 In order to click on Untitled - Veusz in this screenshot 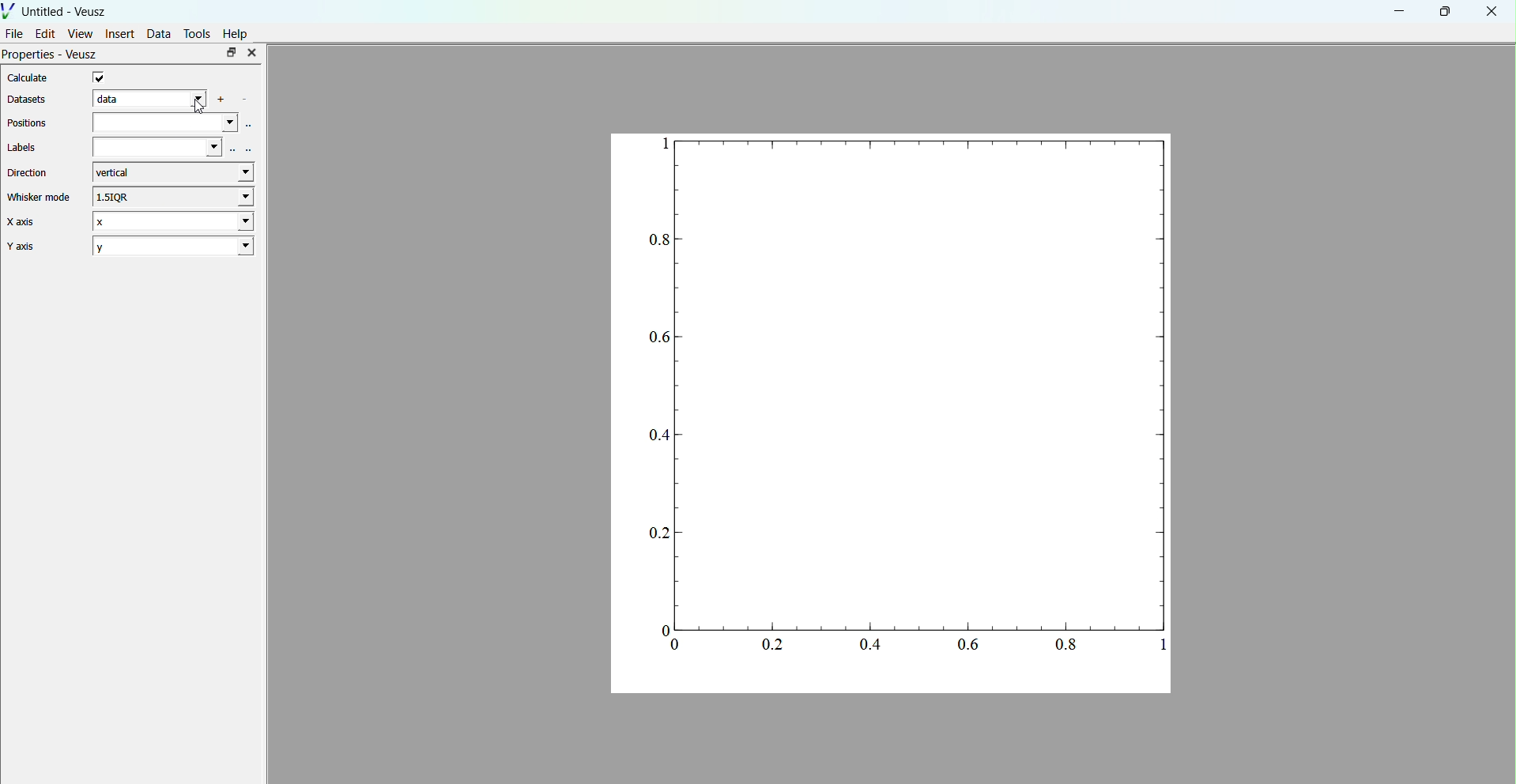, I will do `click(57, 9)`.